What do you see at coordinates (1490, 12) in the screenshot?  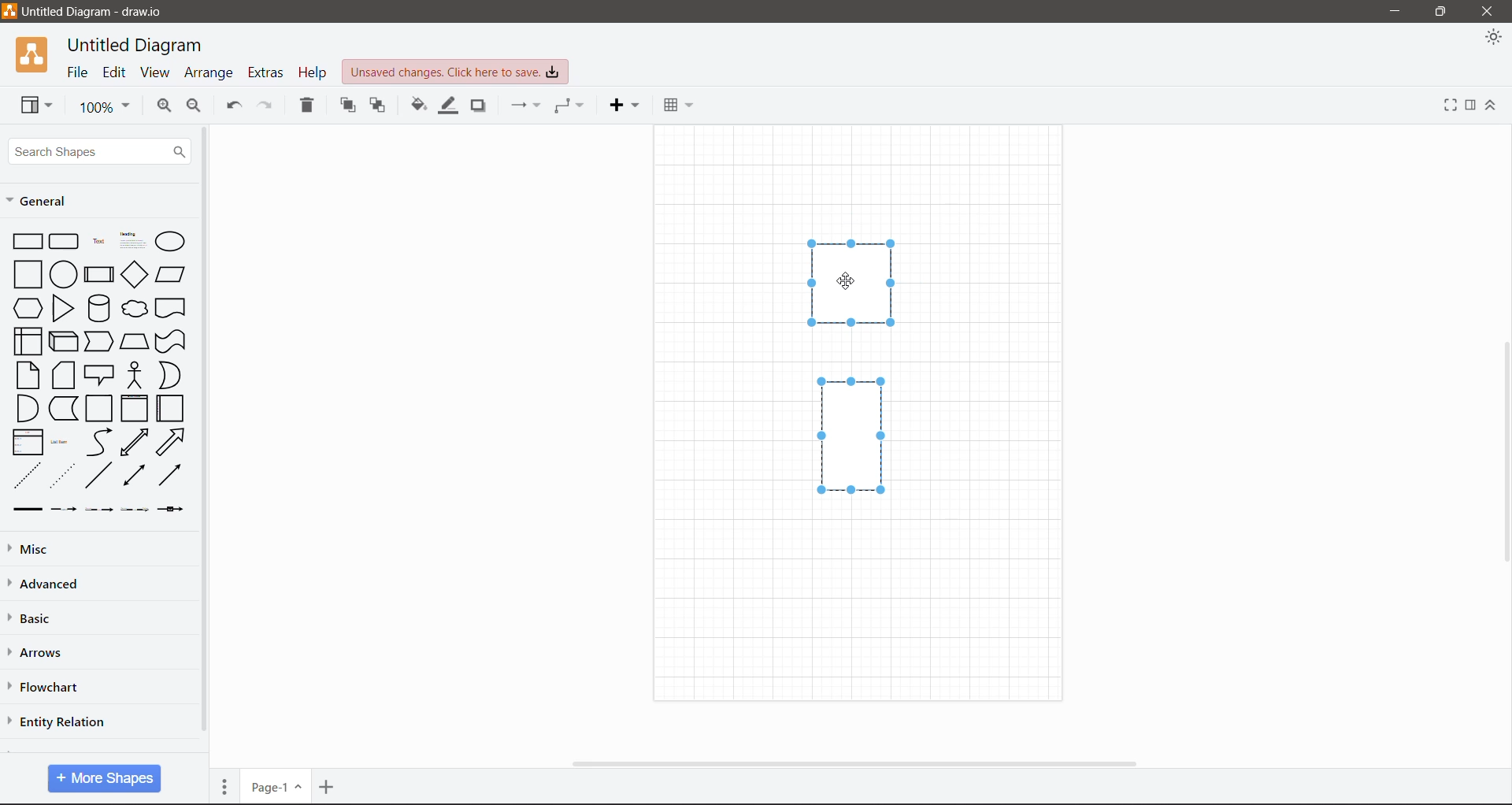 I see `Close` at bounding box center [1490, 12].